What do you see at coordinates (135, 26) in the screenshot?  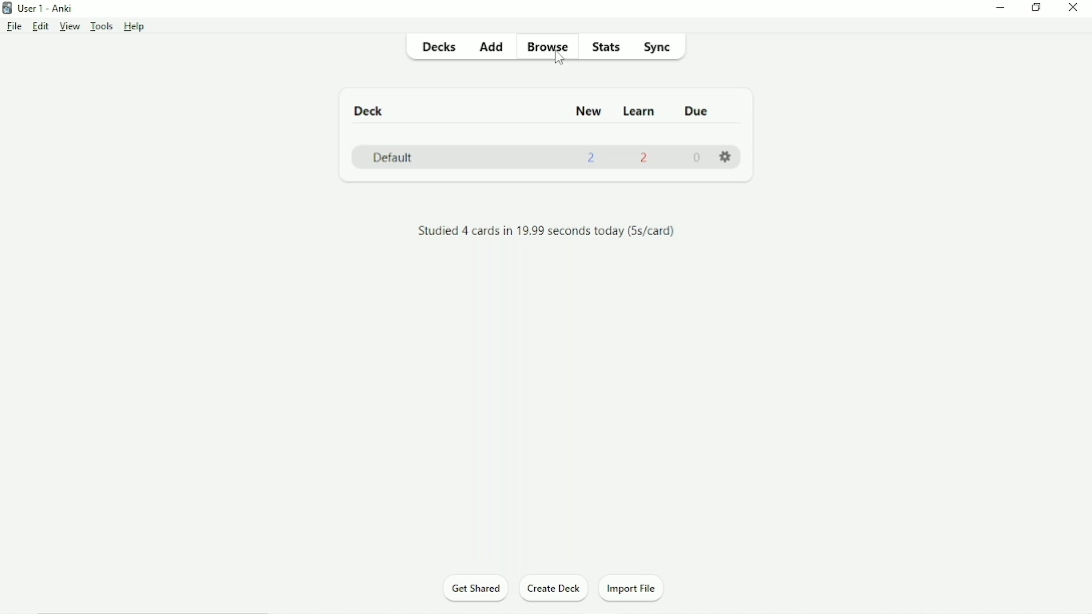 I see `Help` at bounding box center [135, 26].